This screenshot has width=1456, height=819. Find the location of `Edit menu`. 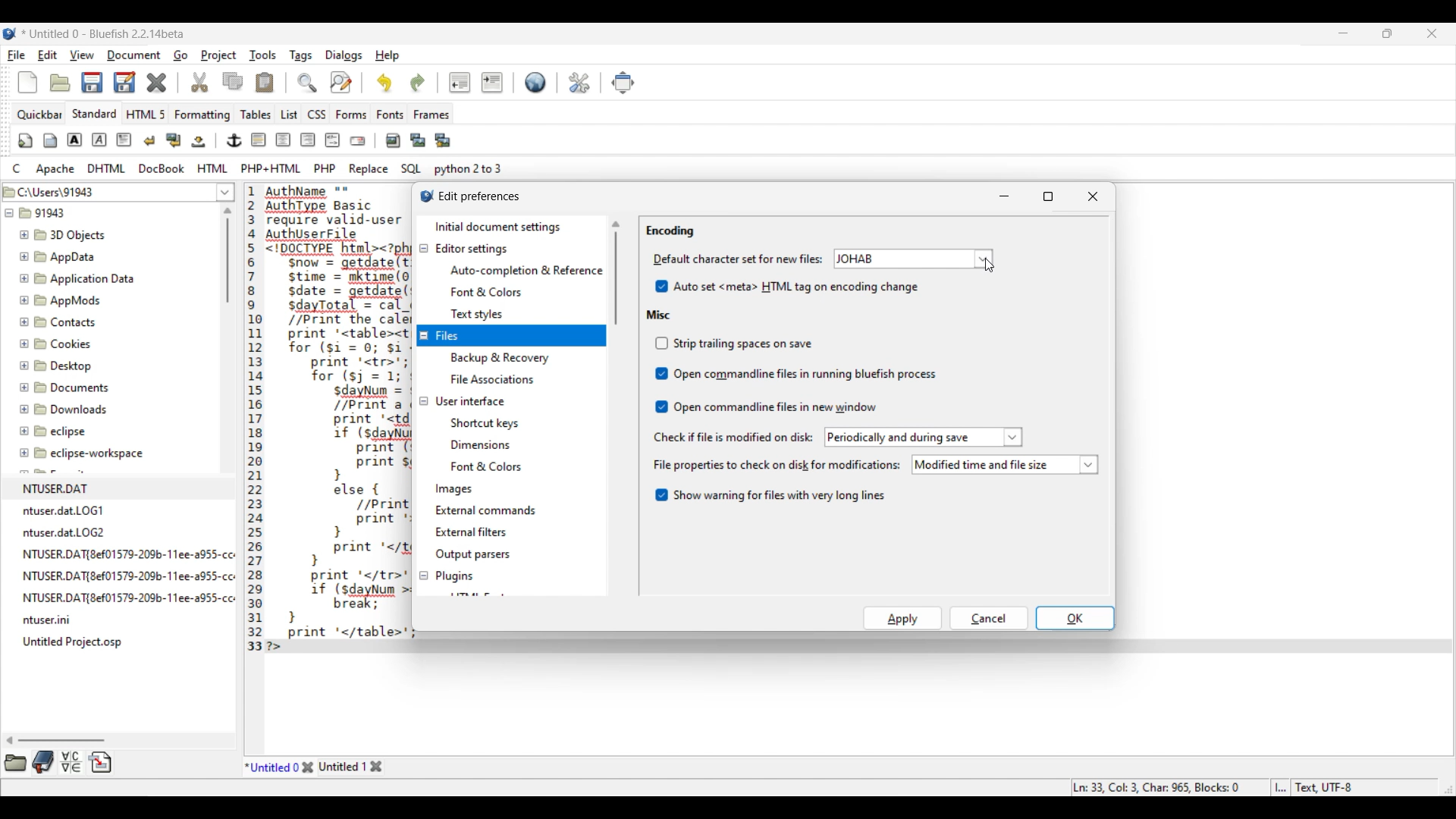

Edit menu is located at coordinates (48, 55).